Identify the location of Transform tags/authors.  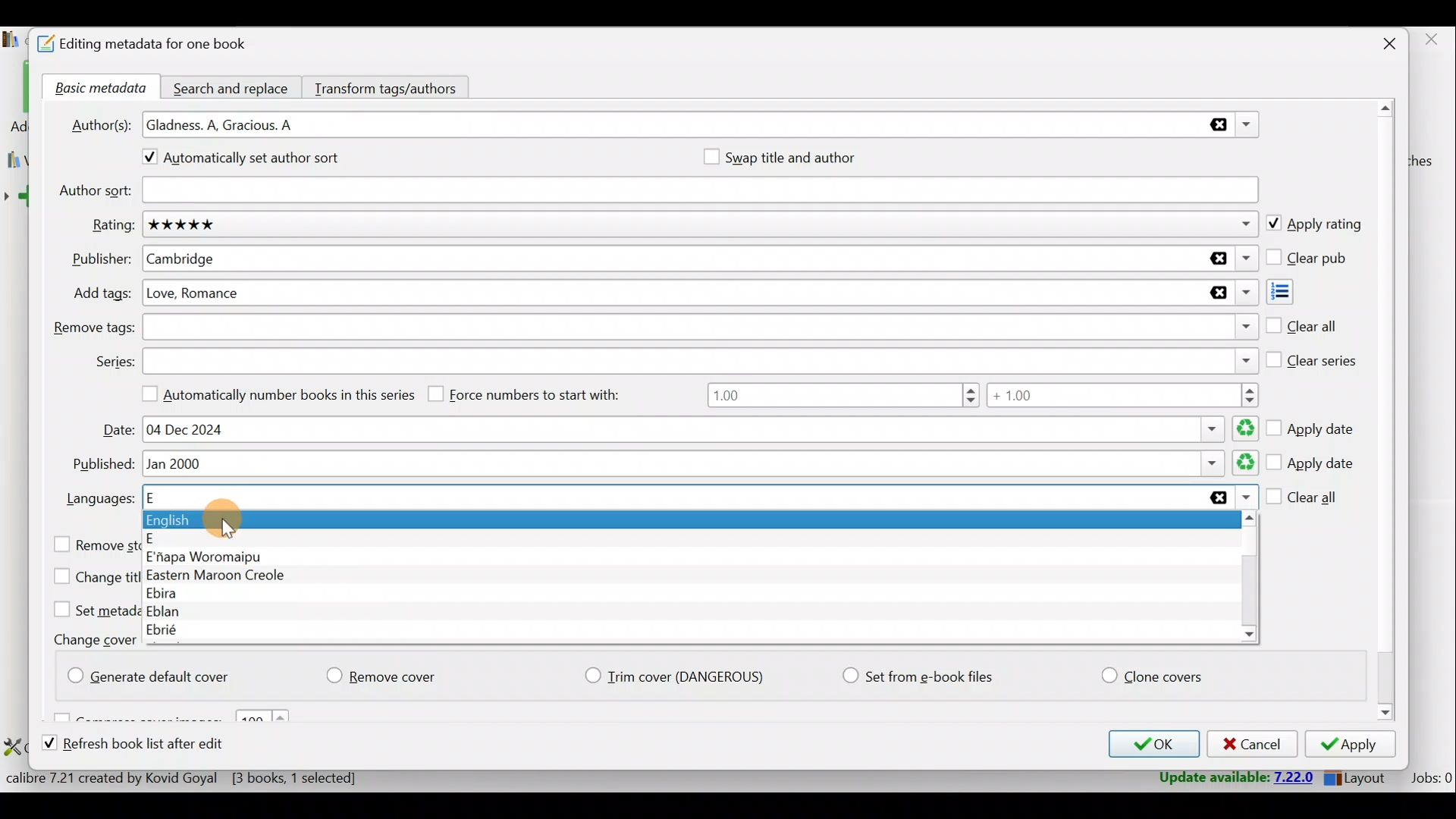
(392, 86).